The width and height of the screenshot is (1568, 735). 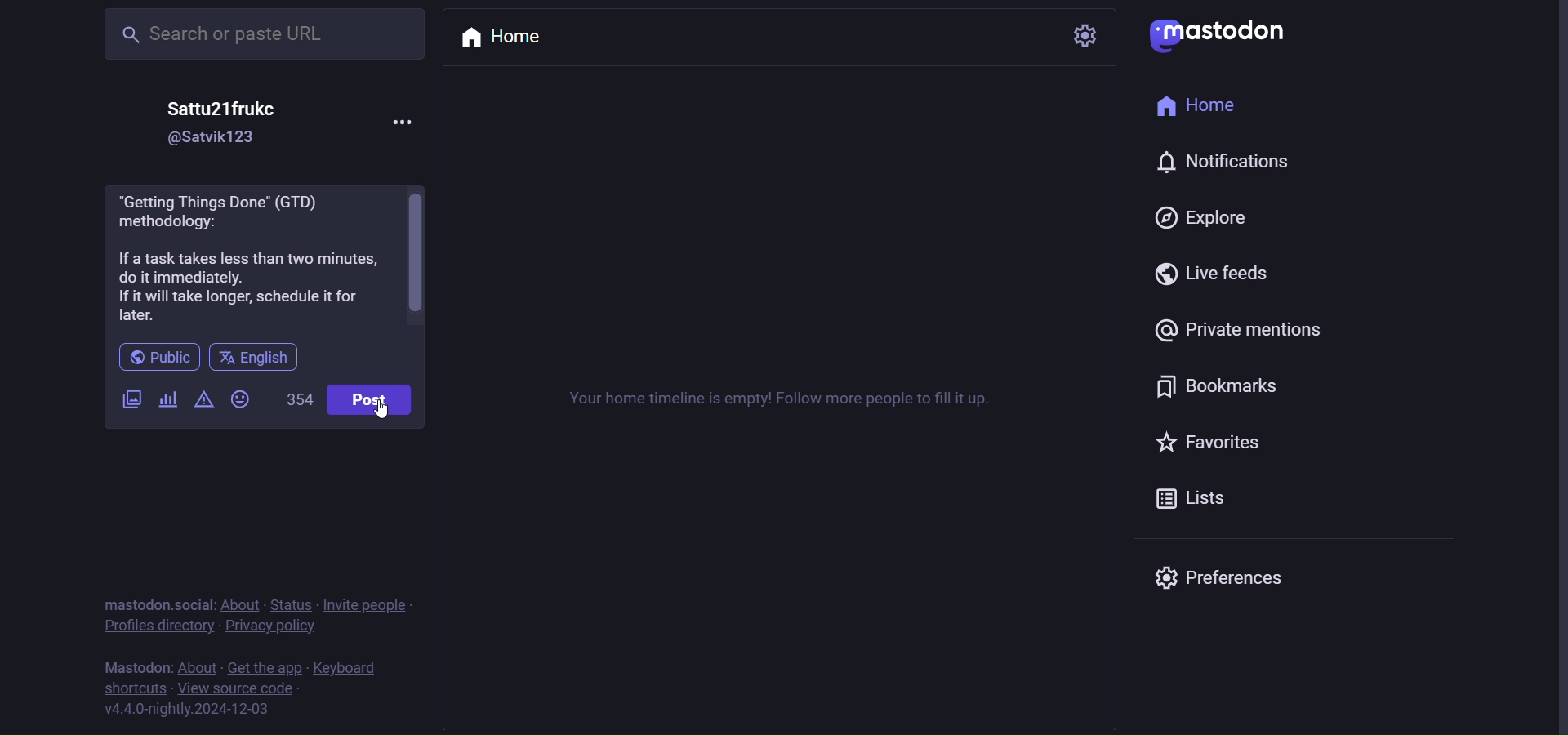 I want to click on keyboard, so click(x=349, y=668).